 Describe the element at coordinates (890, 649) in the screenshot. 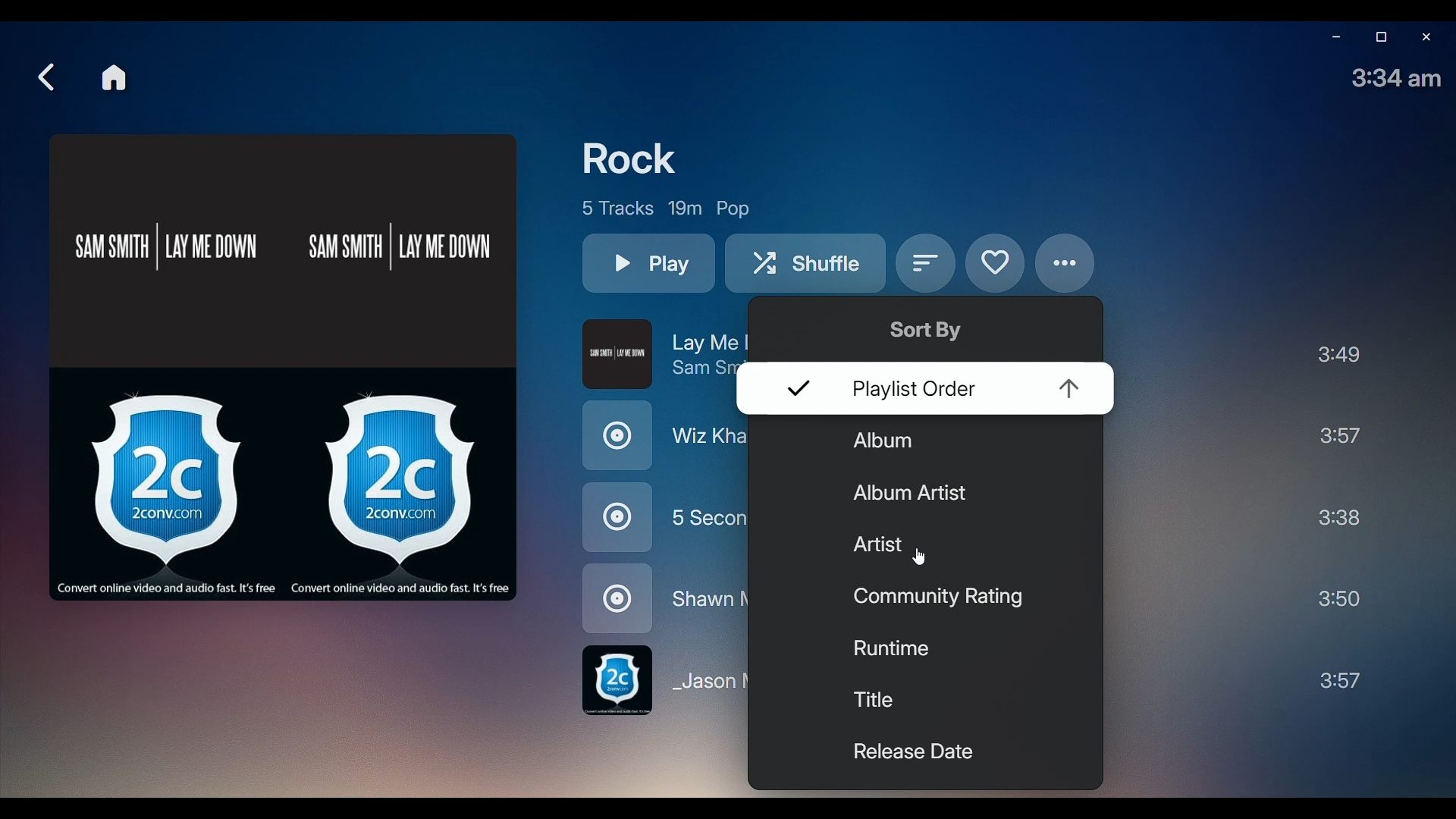

I see `Runtime` at that location.